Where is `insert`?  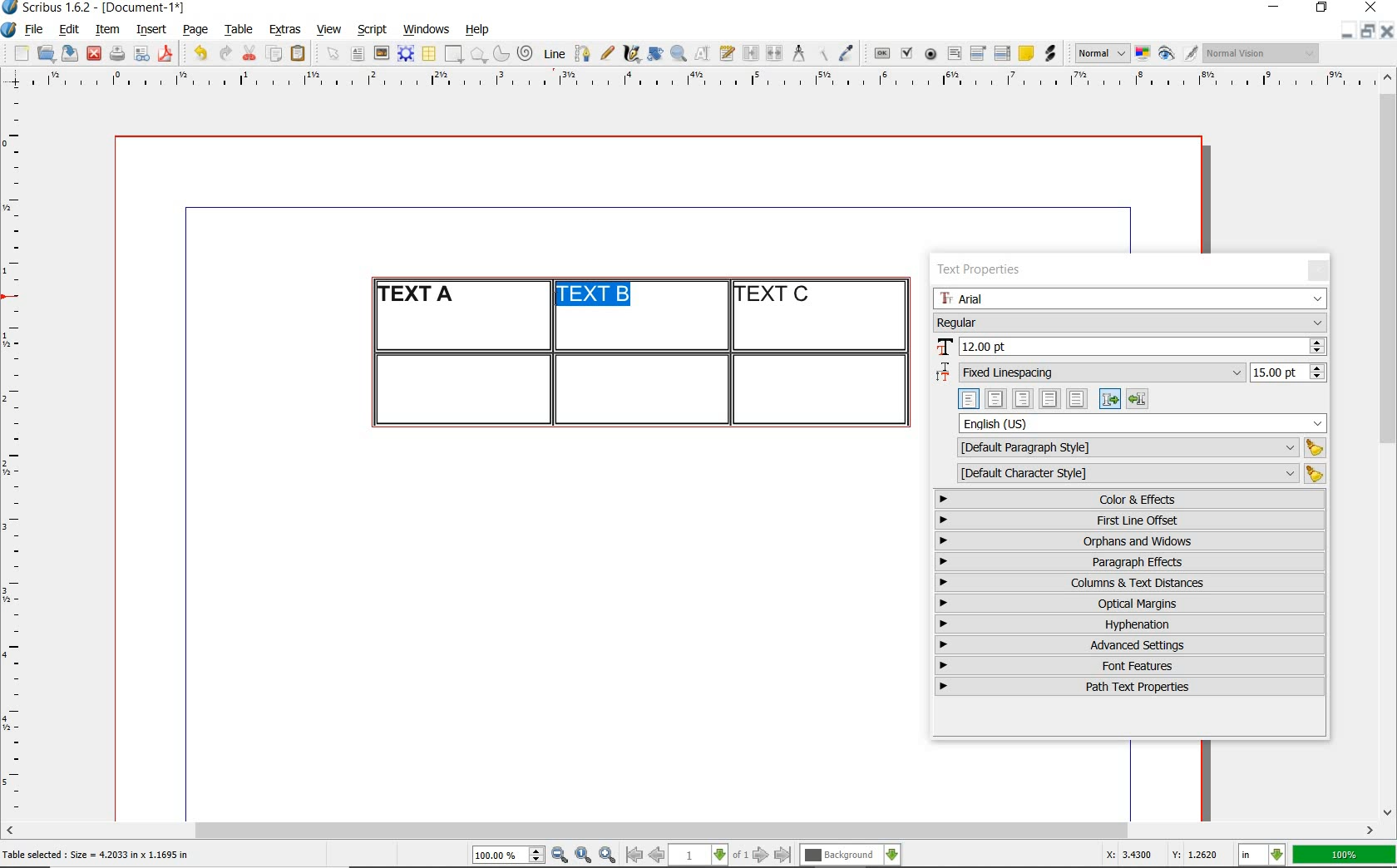
insert is located at coordinates (151, 30).